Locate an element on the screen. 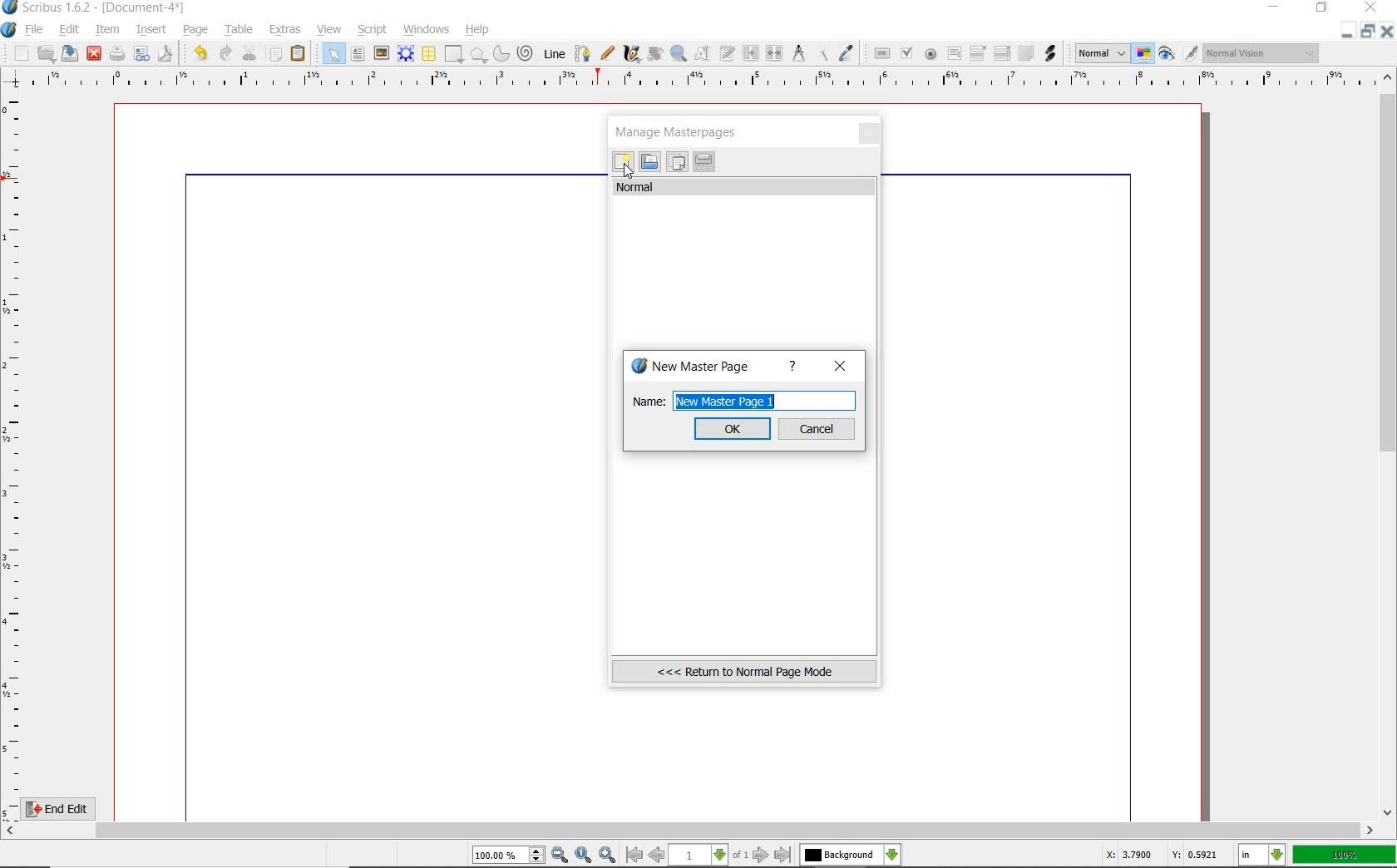 This screenshot has height=868, width=1397. help is located at coordinates (478, 30).